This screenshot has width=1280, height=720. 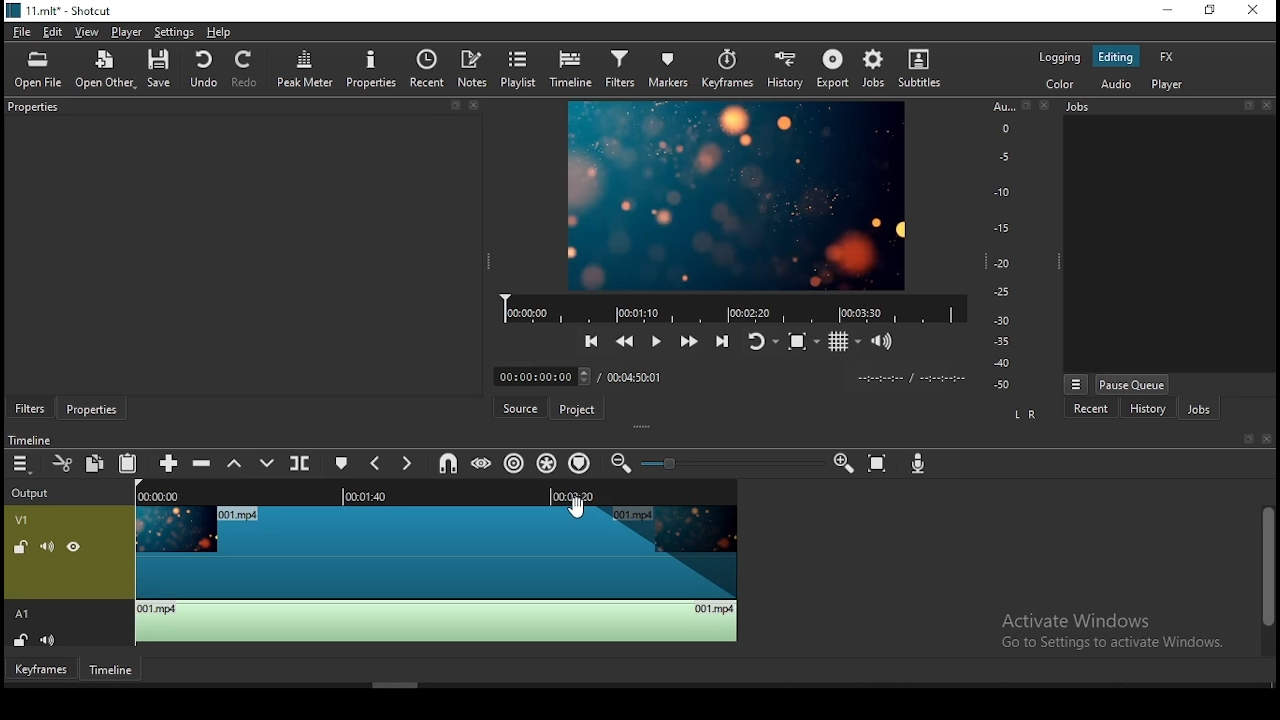 I want to click on ripple all tracks, so click(x=549, y=459).